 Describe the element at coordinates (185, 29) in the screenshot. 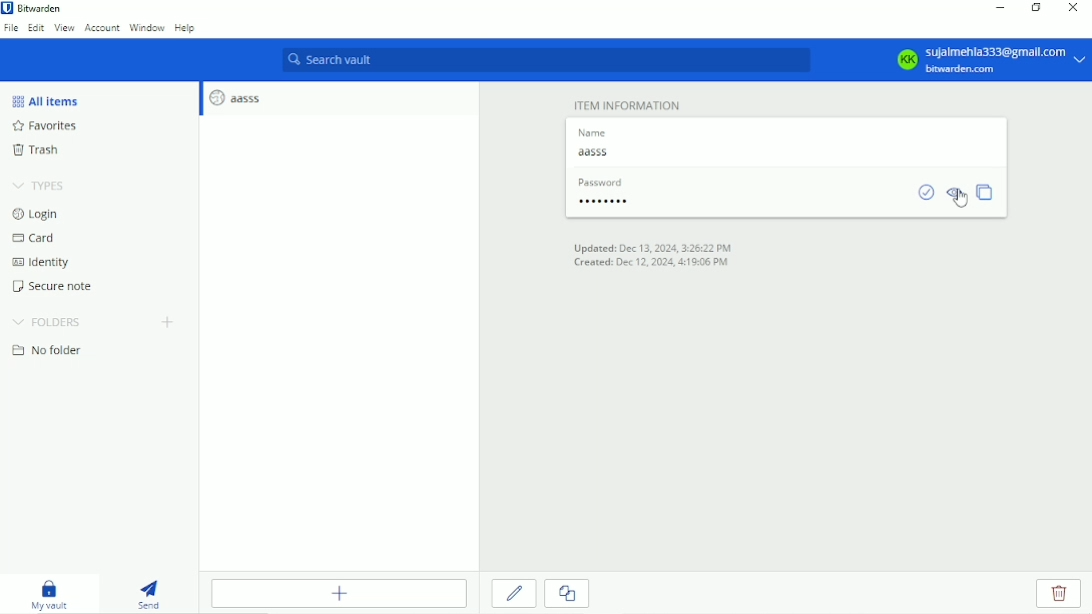

I see `Help` at that location.